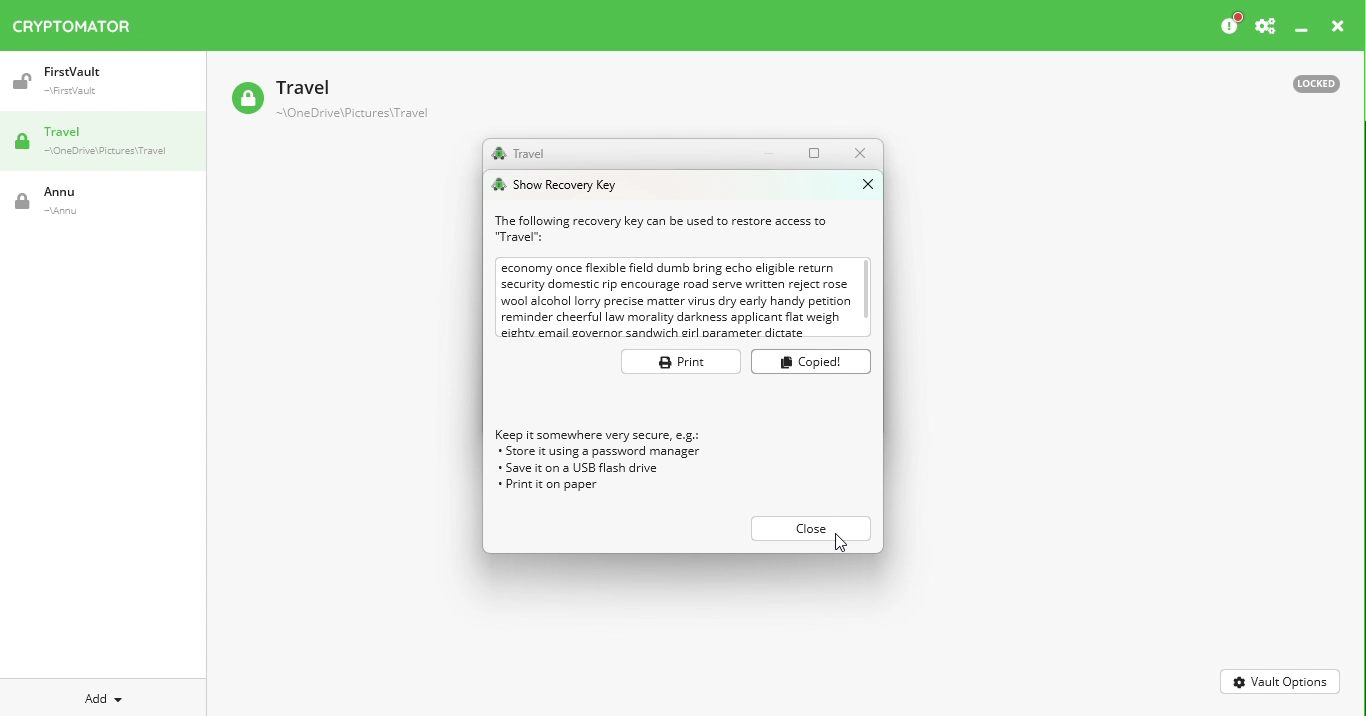  I want to click on Recovery key box, so click(682, 299).